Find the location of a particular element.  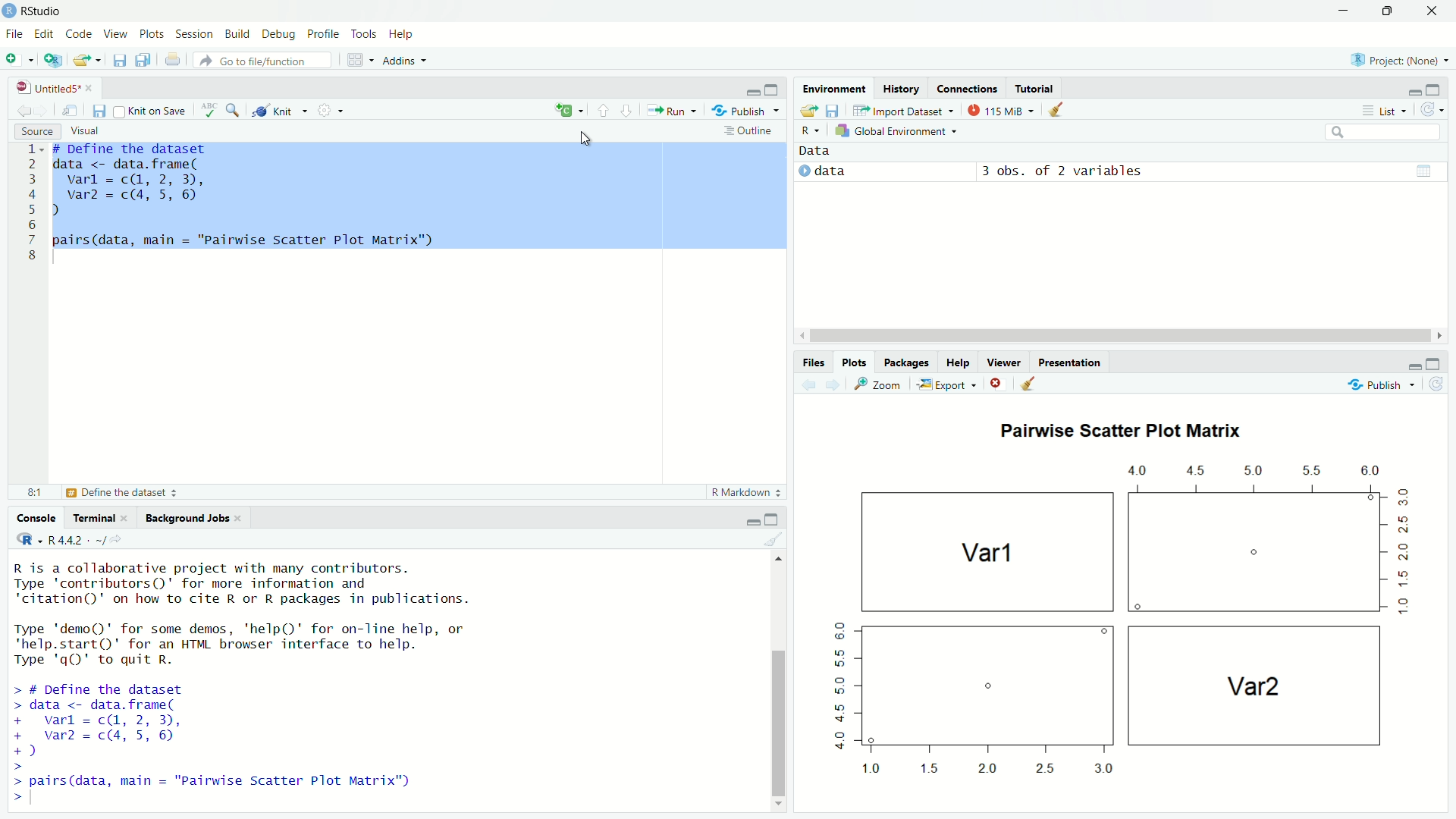

History is located at coordinates (901, 88).